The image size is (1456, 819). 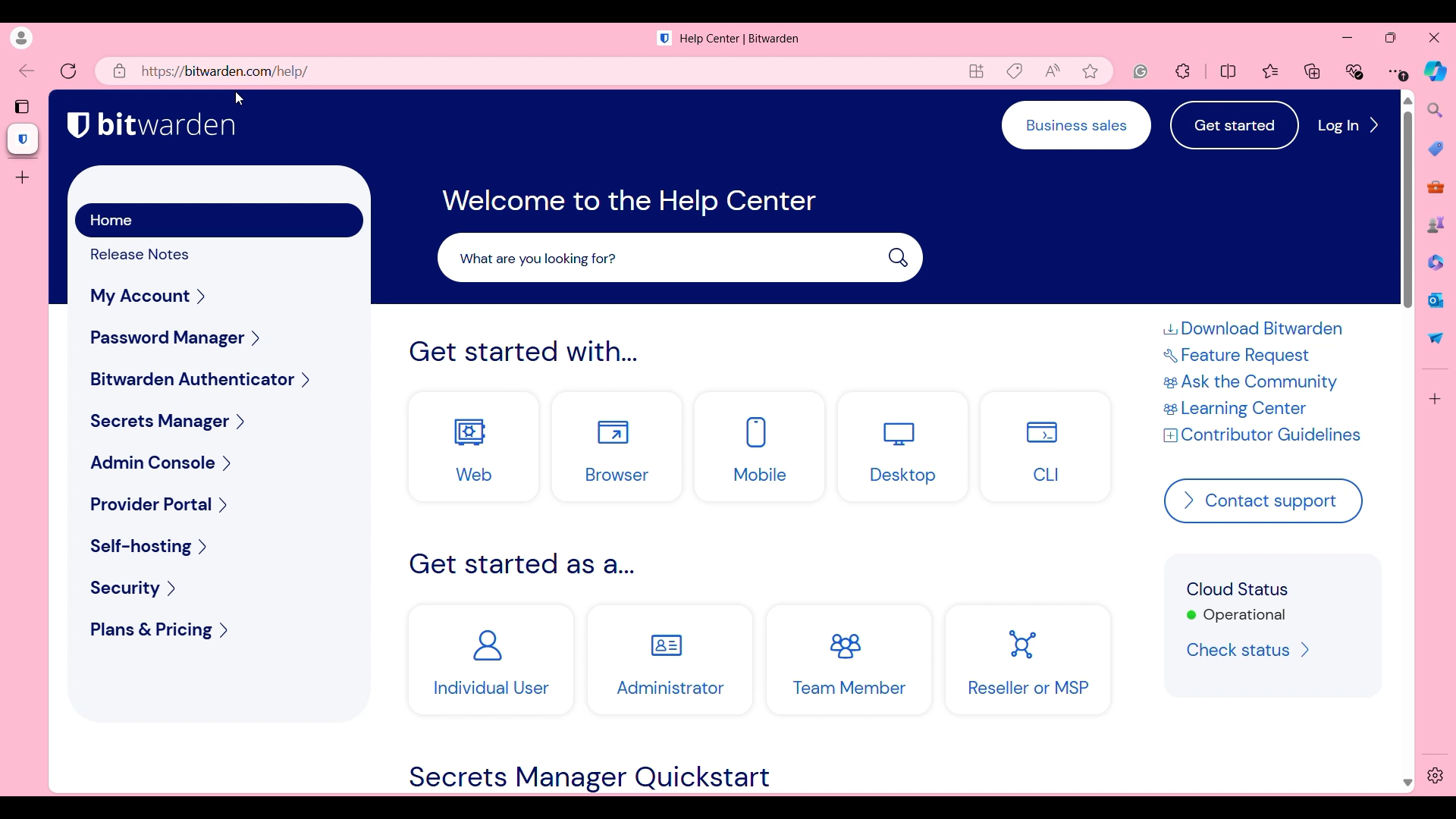 I want to click on Web, so click(x=475, y=447).